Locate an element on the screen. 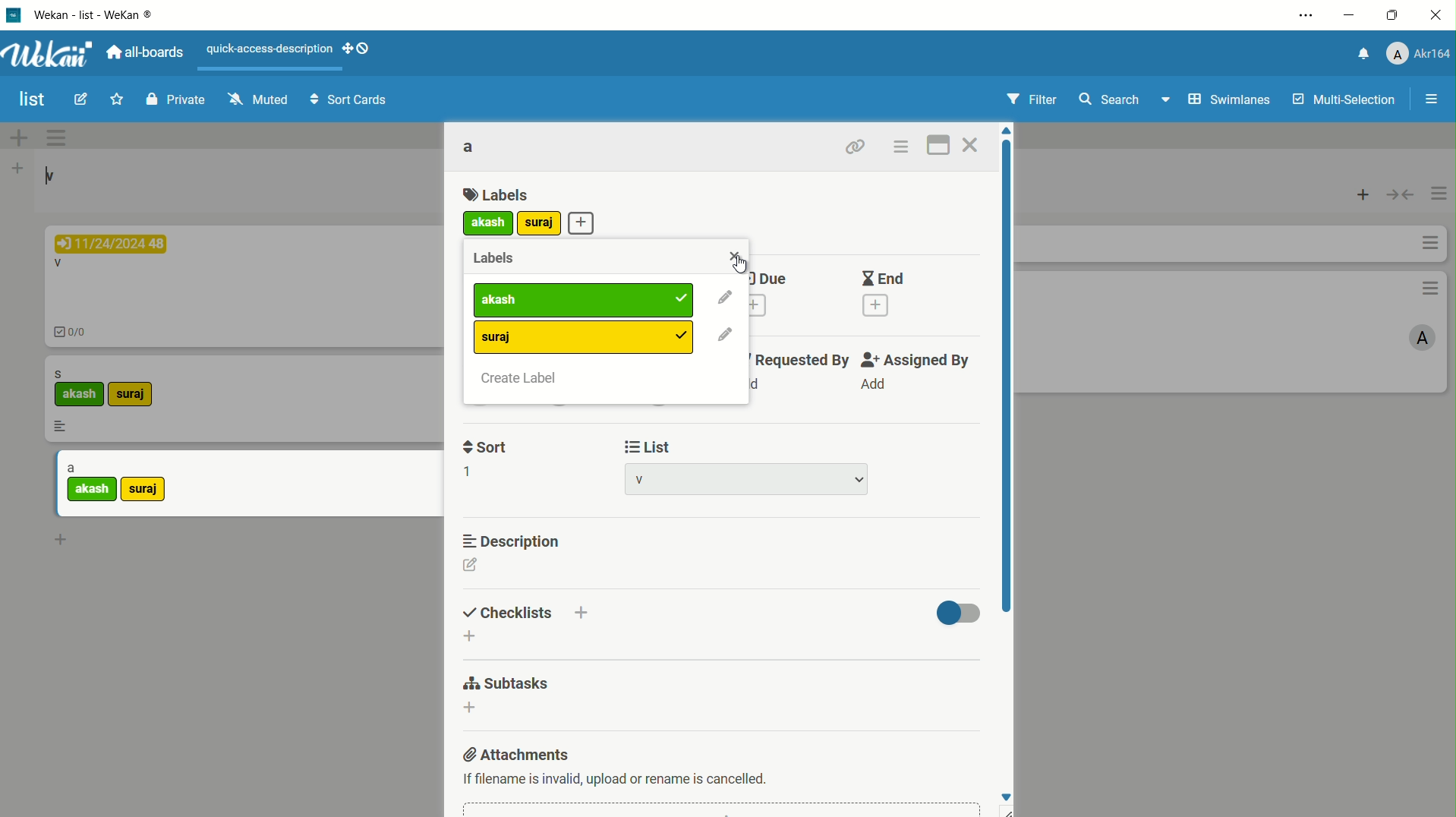  add end date is located at coordinates (878, 304).